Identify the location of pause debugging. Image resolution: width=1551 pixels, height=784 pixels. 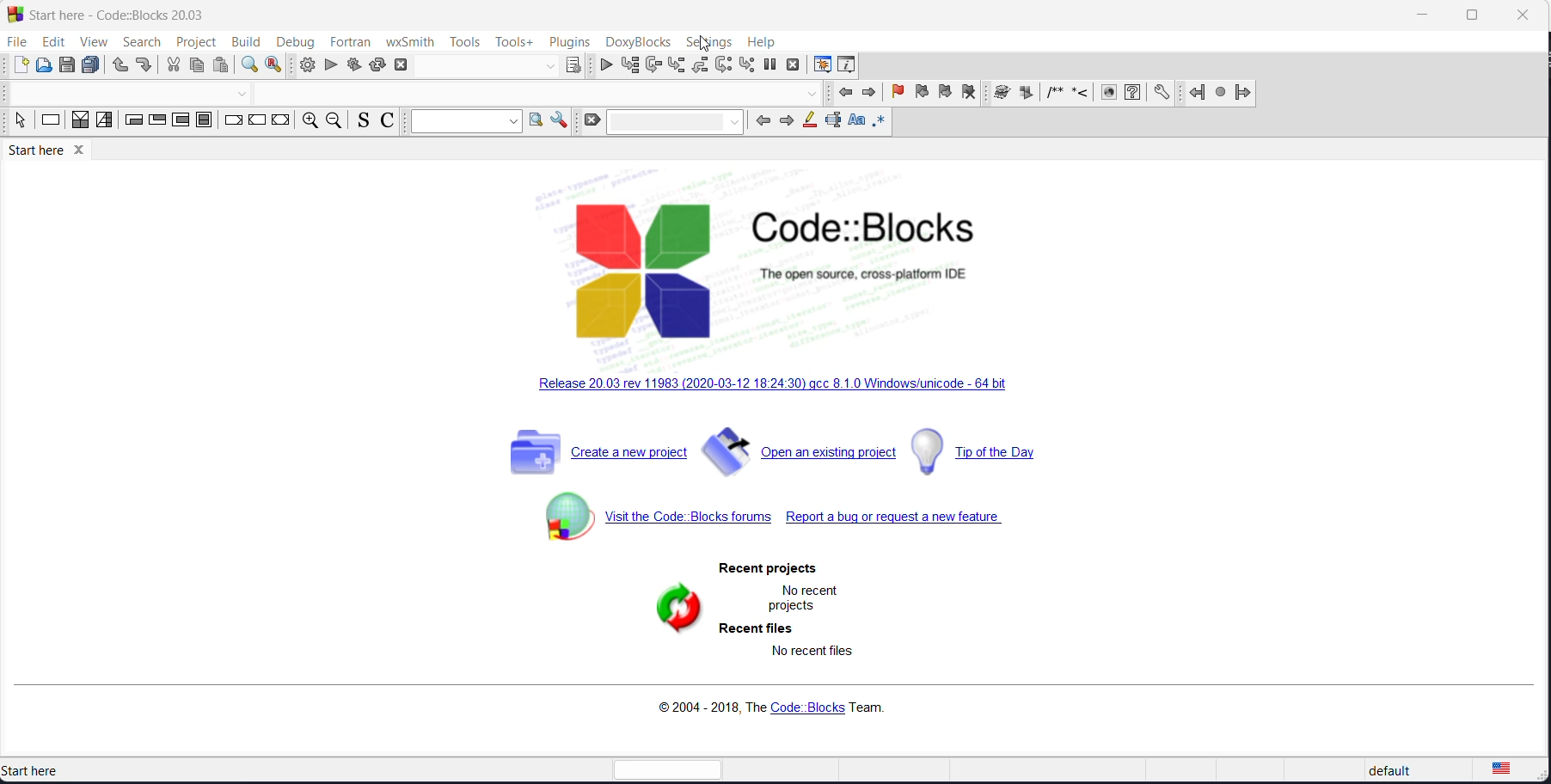
(770, 65).